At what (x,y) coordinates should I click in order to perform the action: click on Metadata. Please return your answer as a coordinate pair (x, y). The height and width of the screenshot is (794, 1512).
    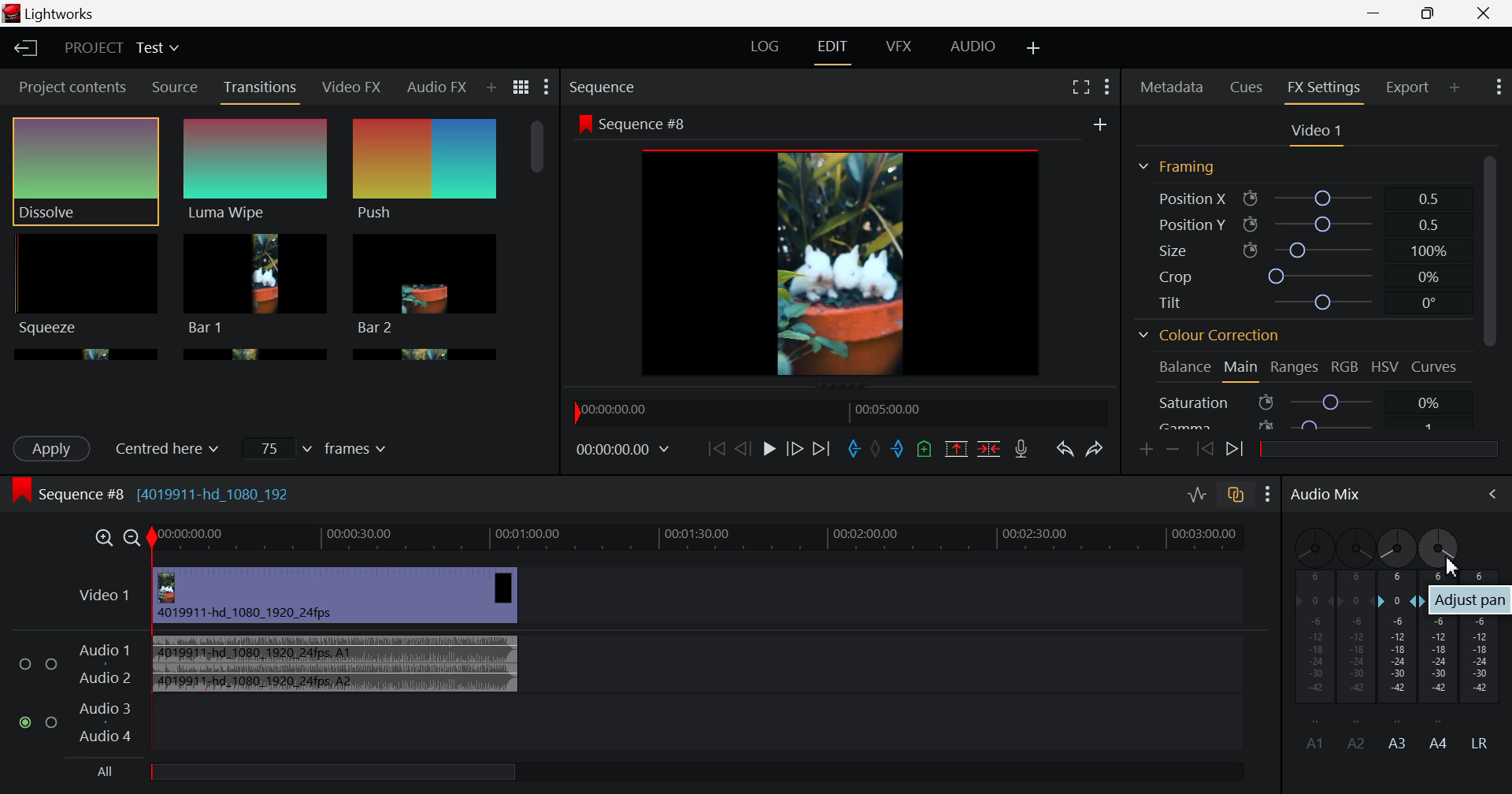
    Looking at the image, I should click on (1172, 87).